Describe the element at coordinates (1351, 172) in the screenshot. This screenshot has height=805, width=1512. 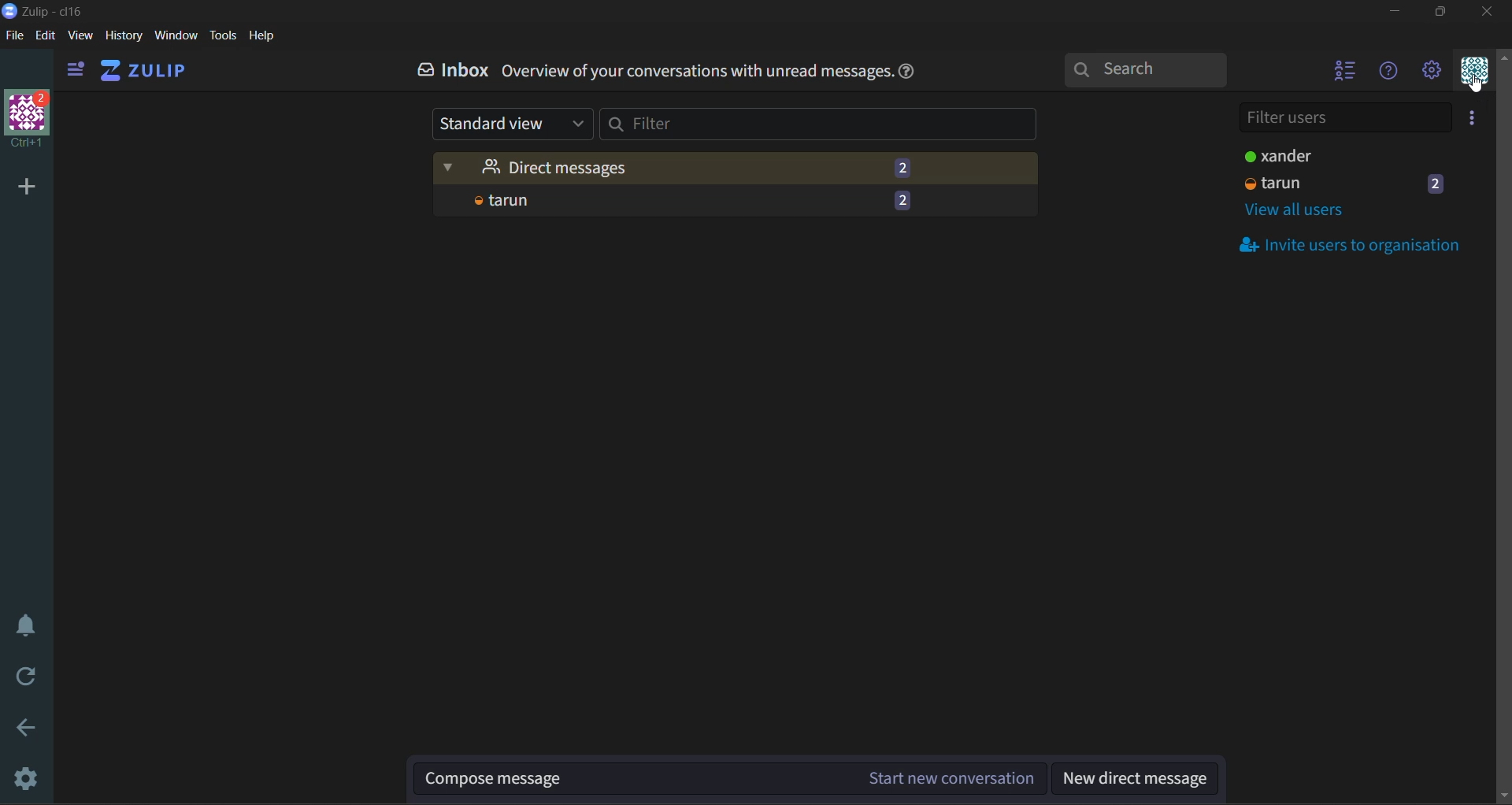
I see `users and staus` at that location.